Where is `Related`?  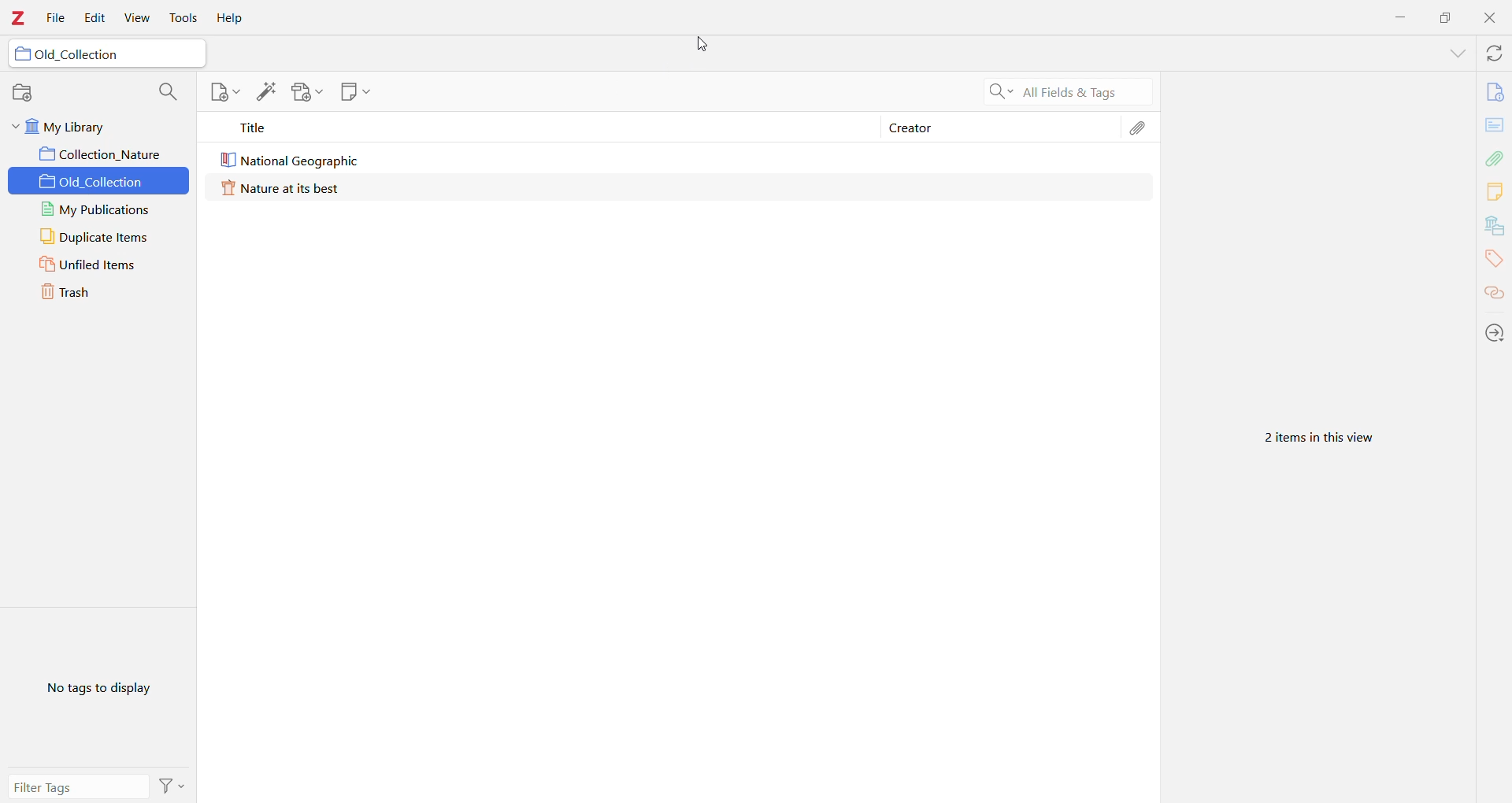 Related is located at coordinates (1495, 294).